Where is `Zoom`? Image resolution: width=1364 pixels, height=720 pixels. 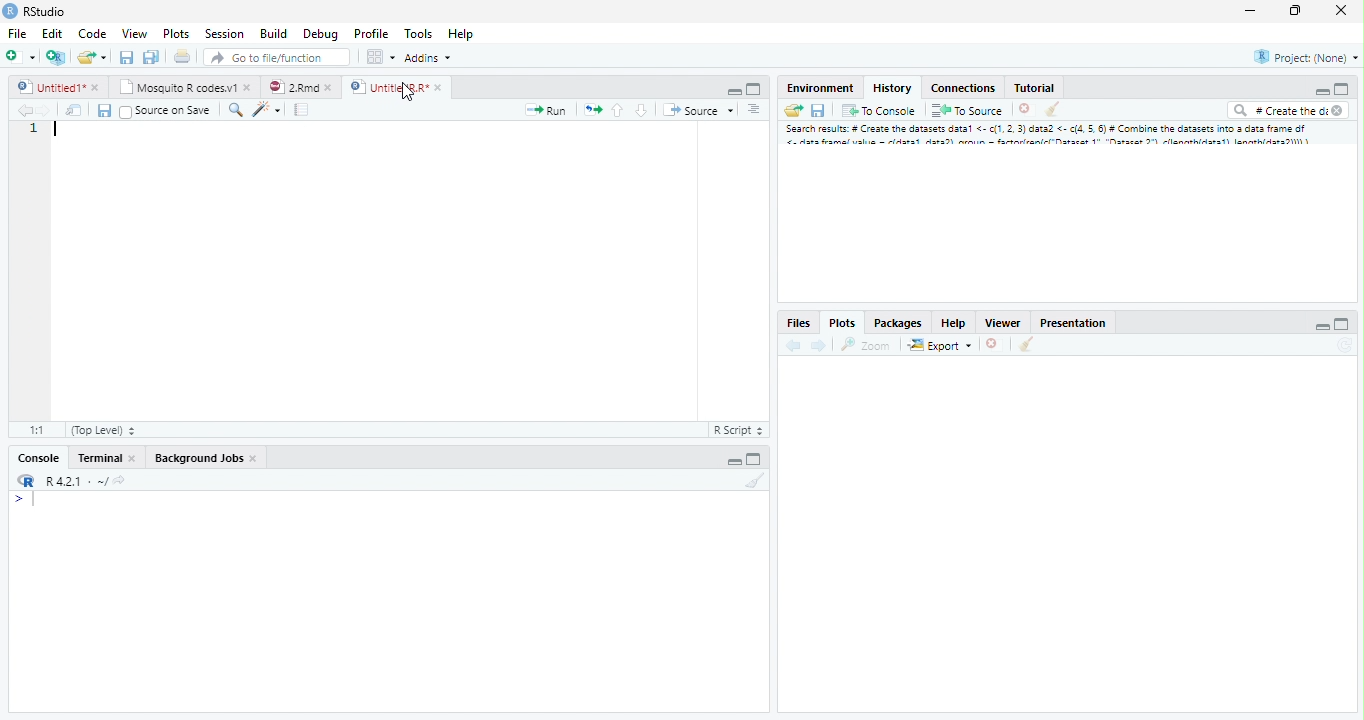 Zoom is located at coordinates (864, 346).